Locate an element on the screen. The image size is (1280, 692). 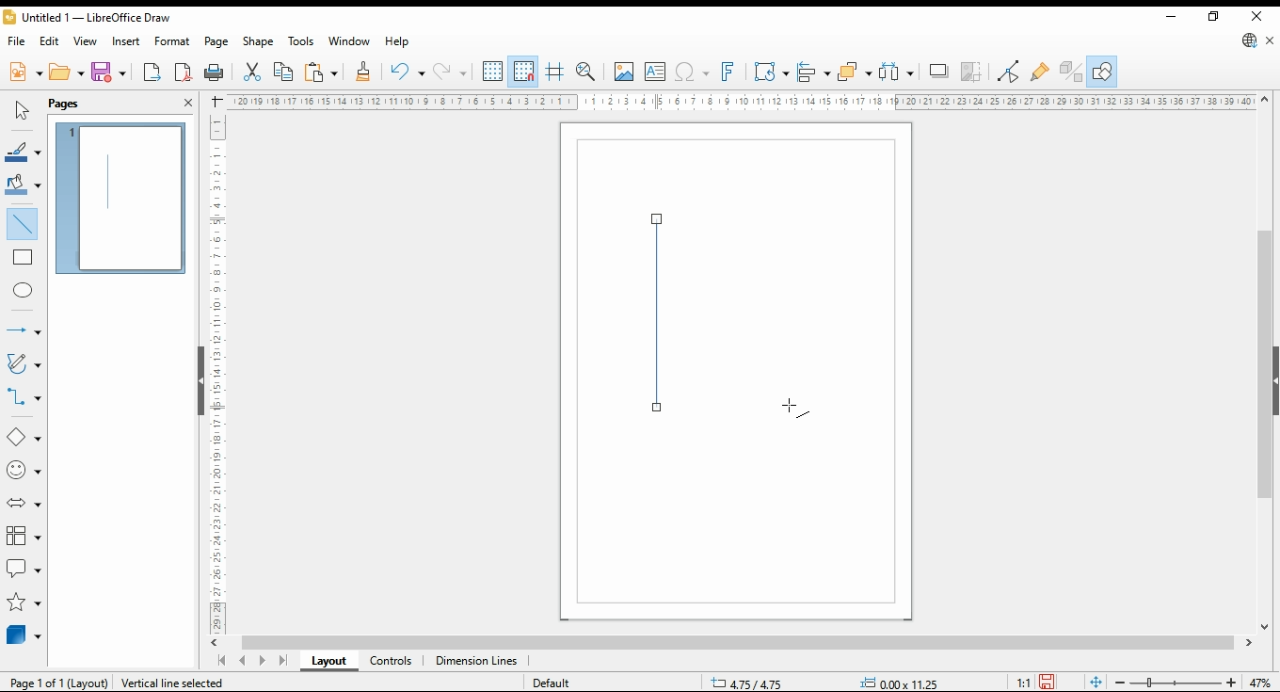
new is located at coordinates (24, 72).